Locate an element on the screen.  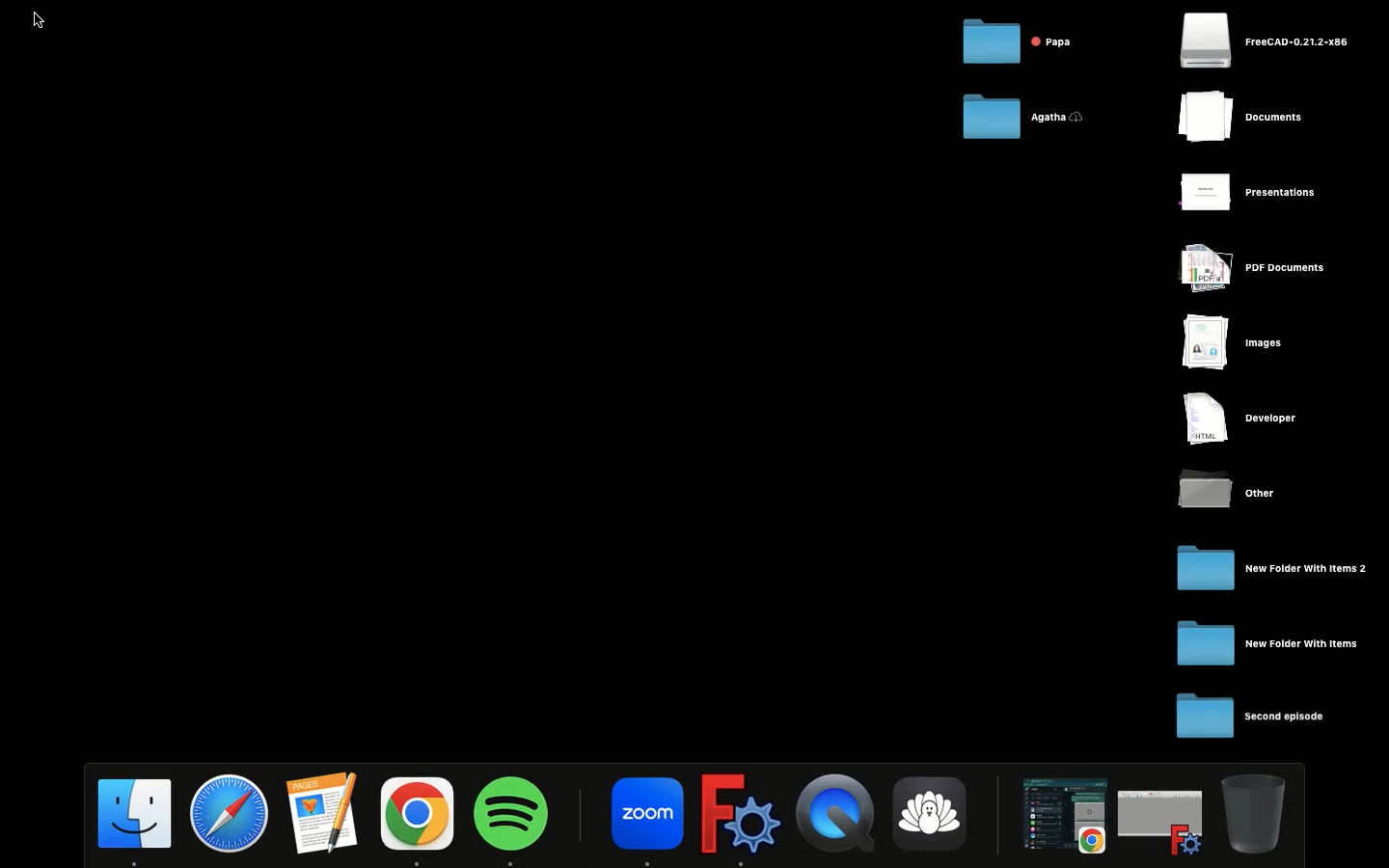
Developer is located at coordinates (1240, 420).